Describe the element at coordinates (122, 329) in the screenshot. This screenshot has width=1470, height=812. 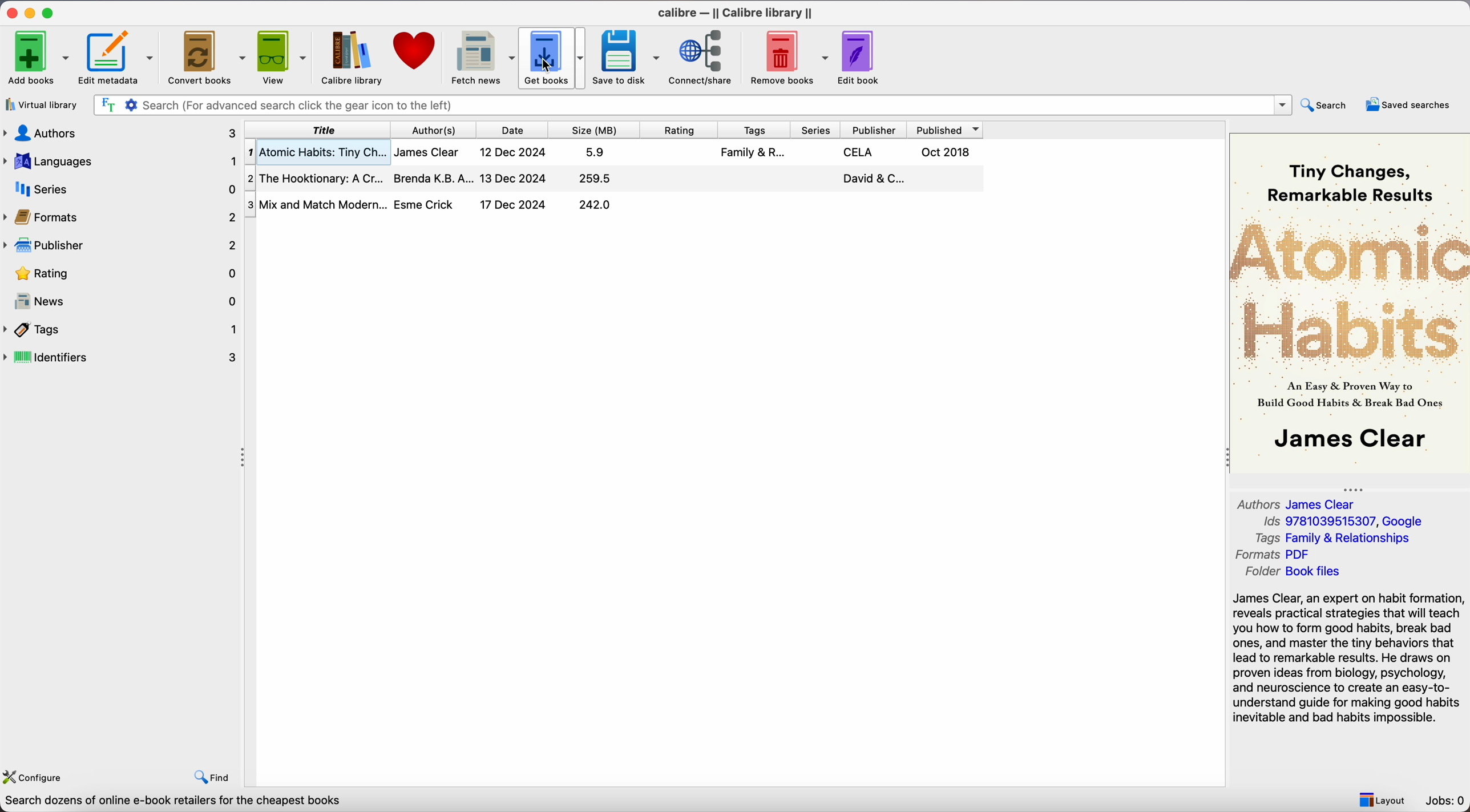
I see `tags` at that location.